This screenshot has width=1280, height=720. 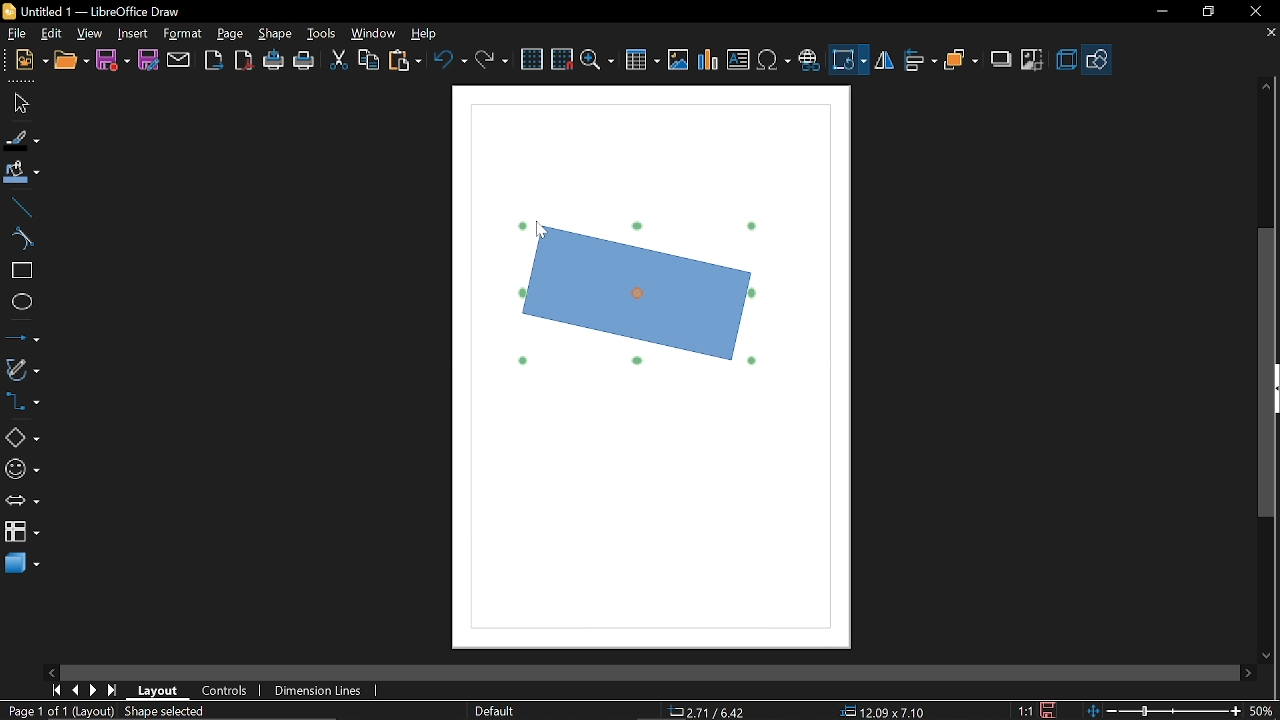 I want to click on View, so click(x=91, y=33).